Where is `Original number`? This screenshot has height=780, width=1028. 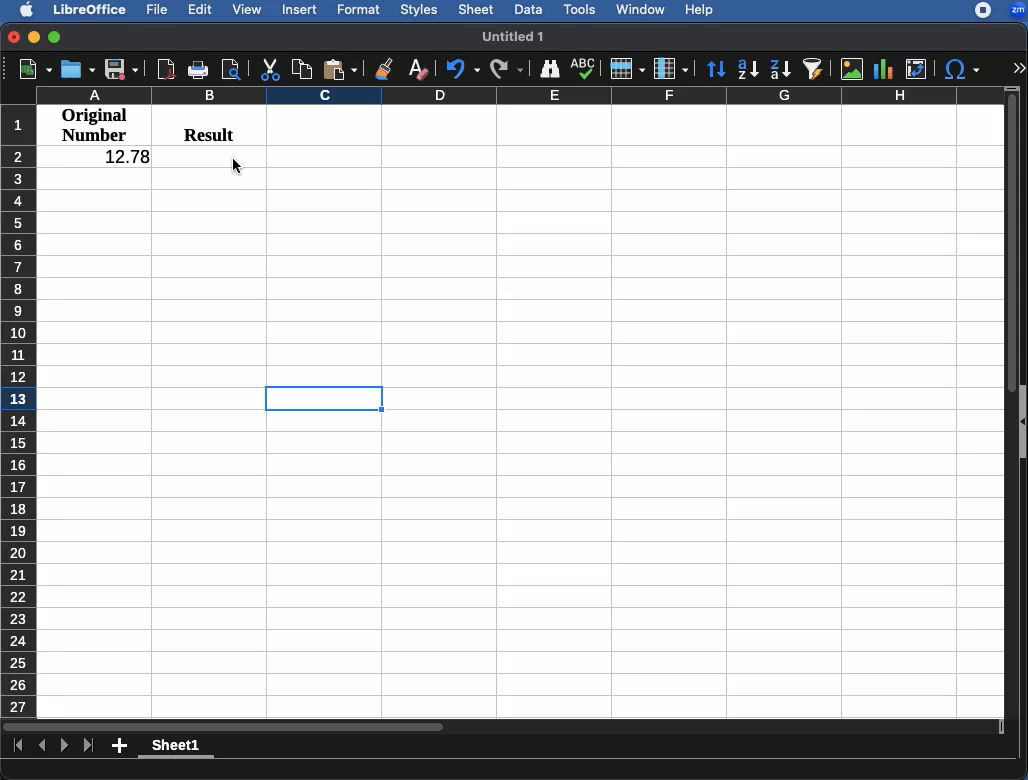 Original number is located at coordinates (95, 127).